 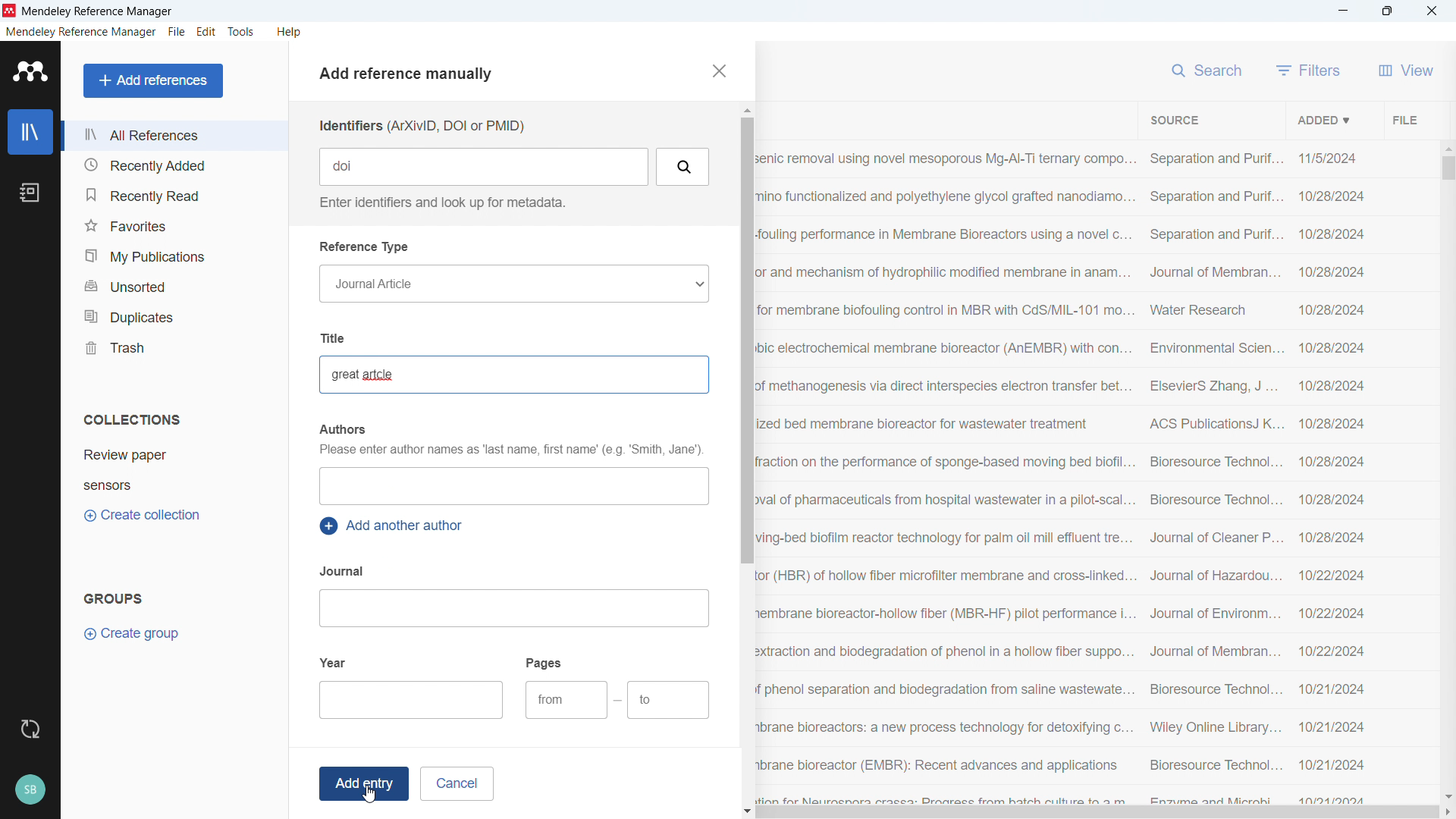 I want to click on Scroll right , so click(x=1447, y=813).